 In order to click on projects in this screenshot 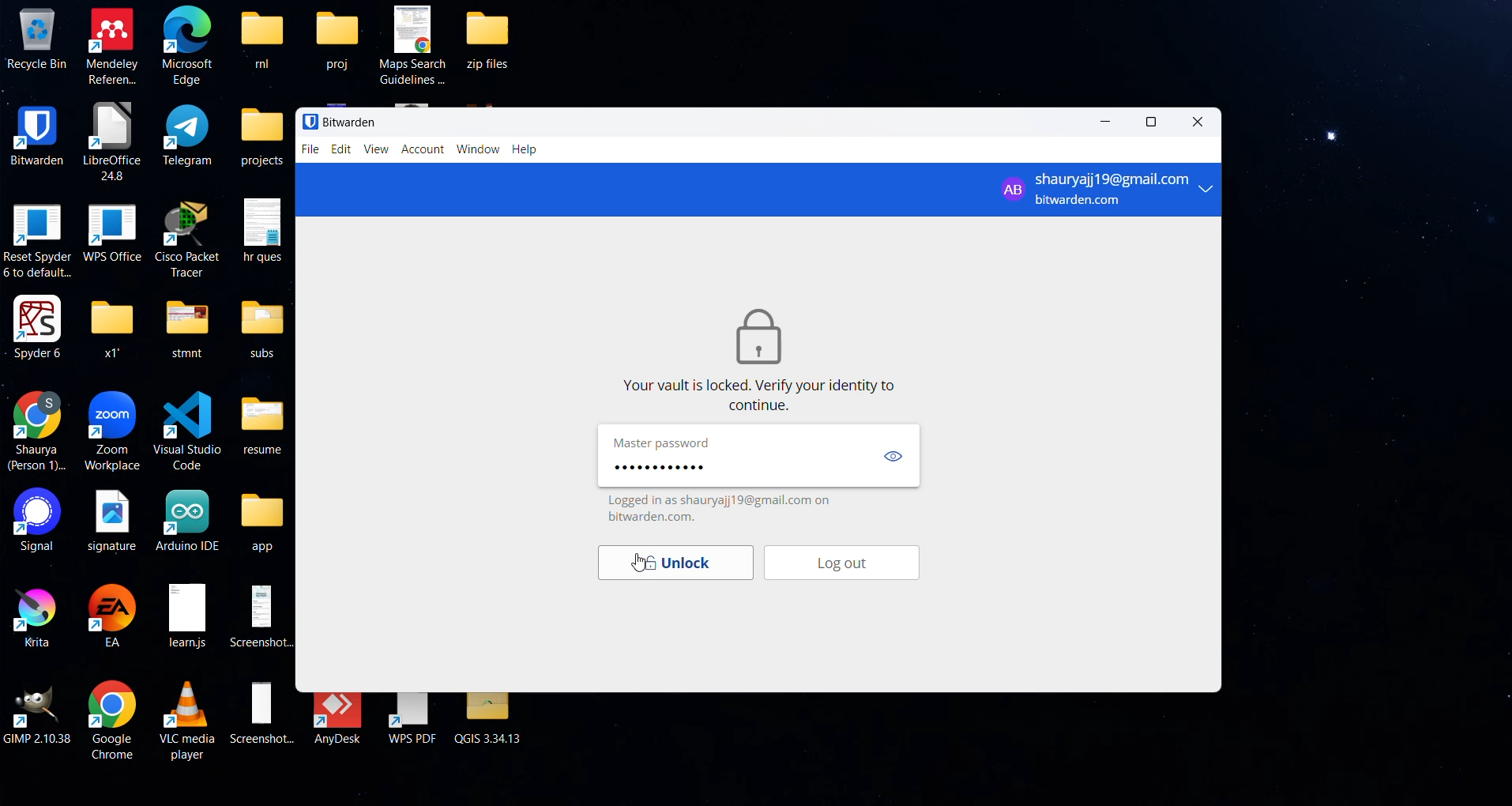, I will do `click(262, 137)`.